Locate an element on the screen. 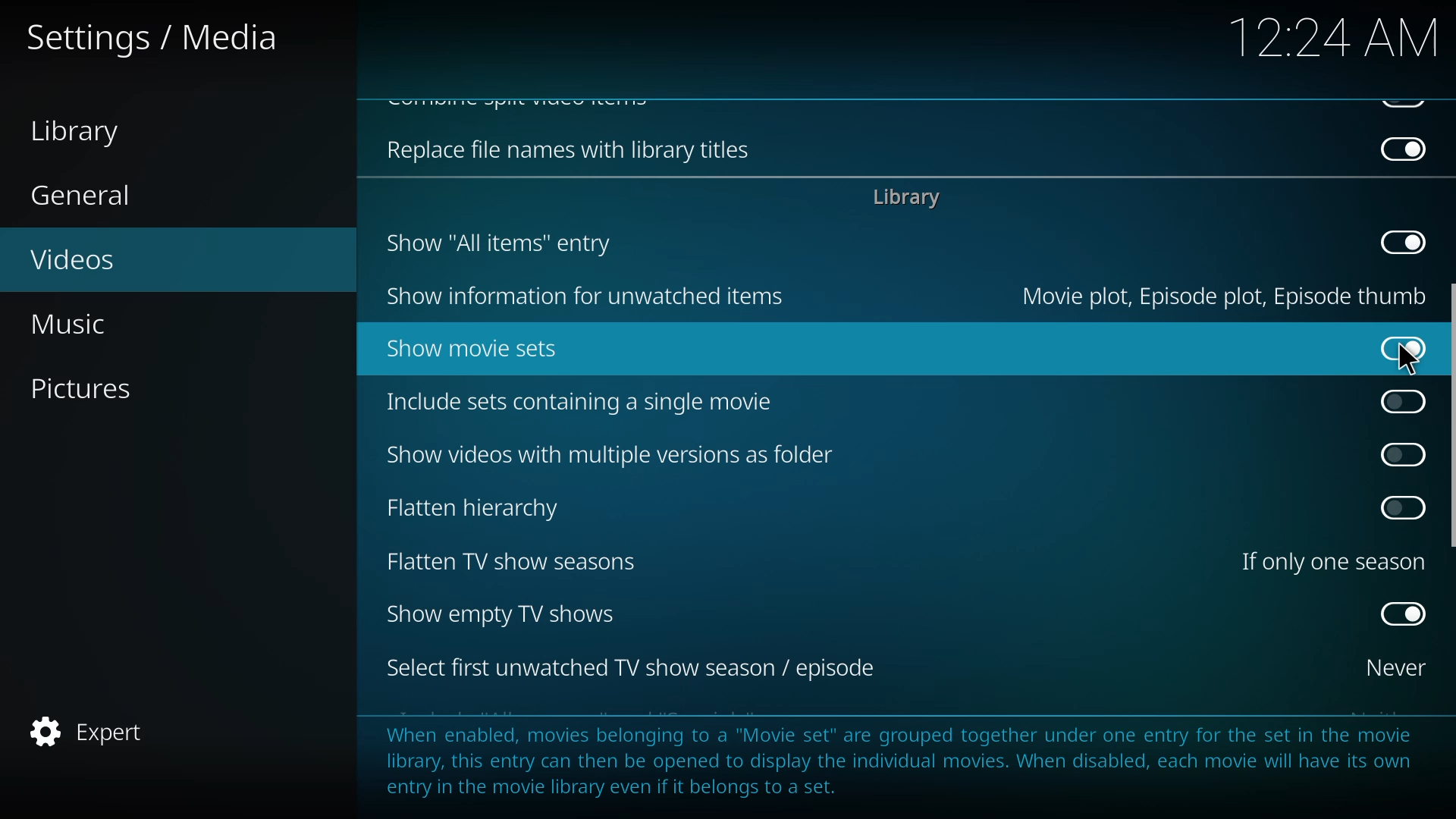  show movie sets is located at coordinates (471, 347).